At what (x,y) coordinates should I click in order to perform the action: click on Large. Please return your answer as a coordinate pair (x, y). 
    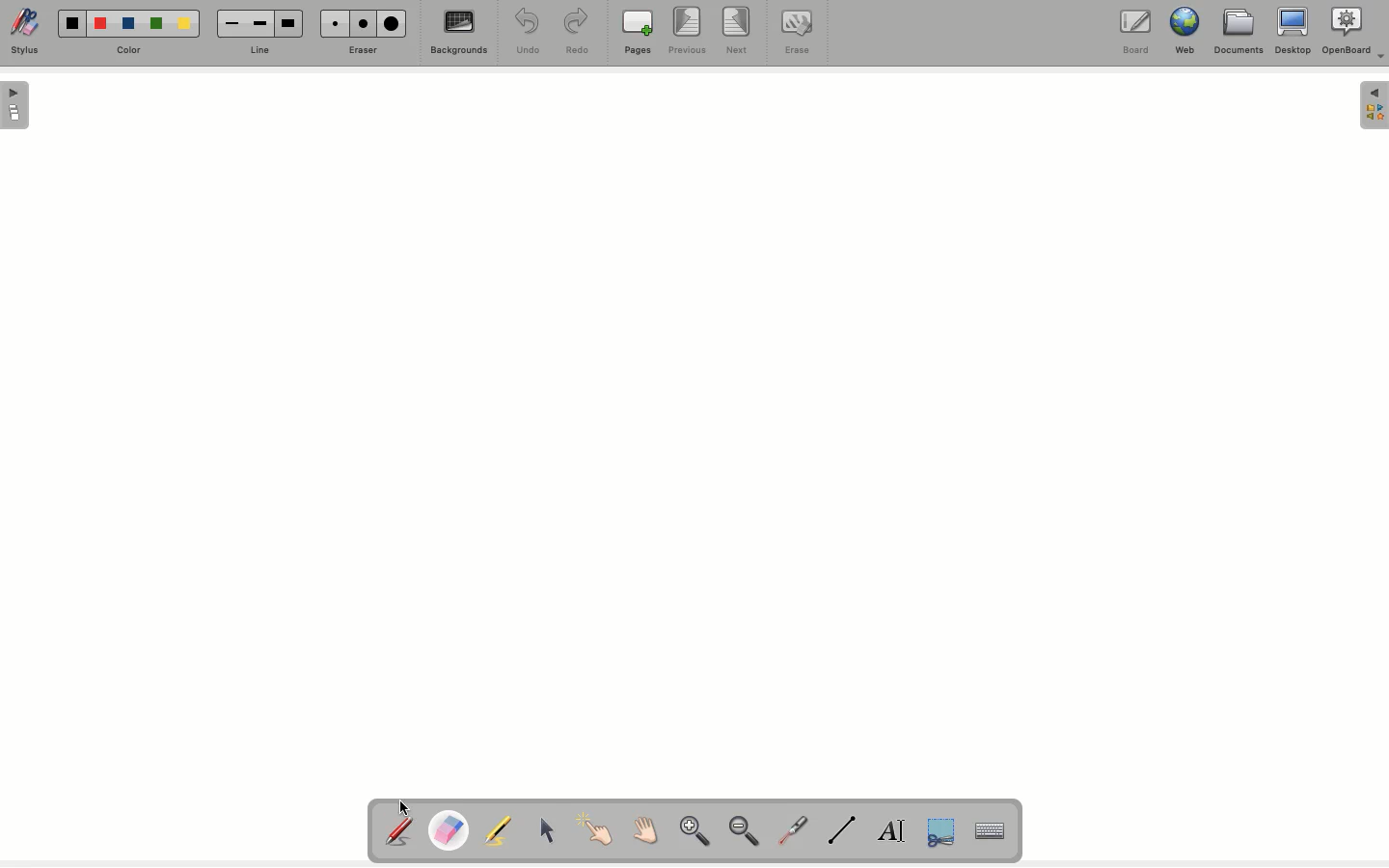
    Looking at the image, I should click on (290, 21).